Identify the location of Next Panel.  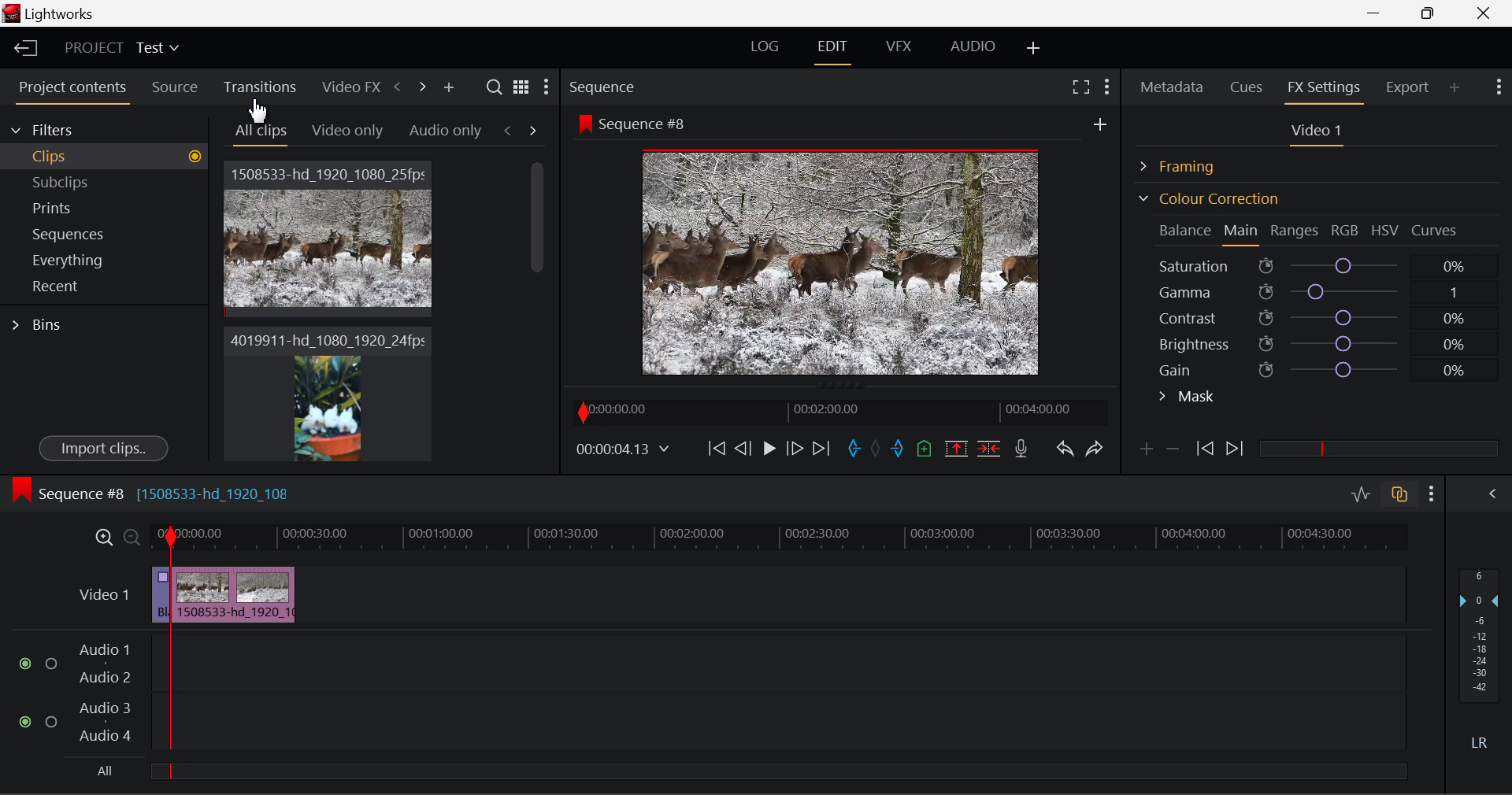
(420, 86).